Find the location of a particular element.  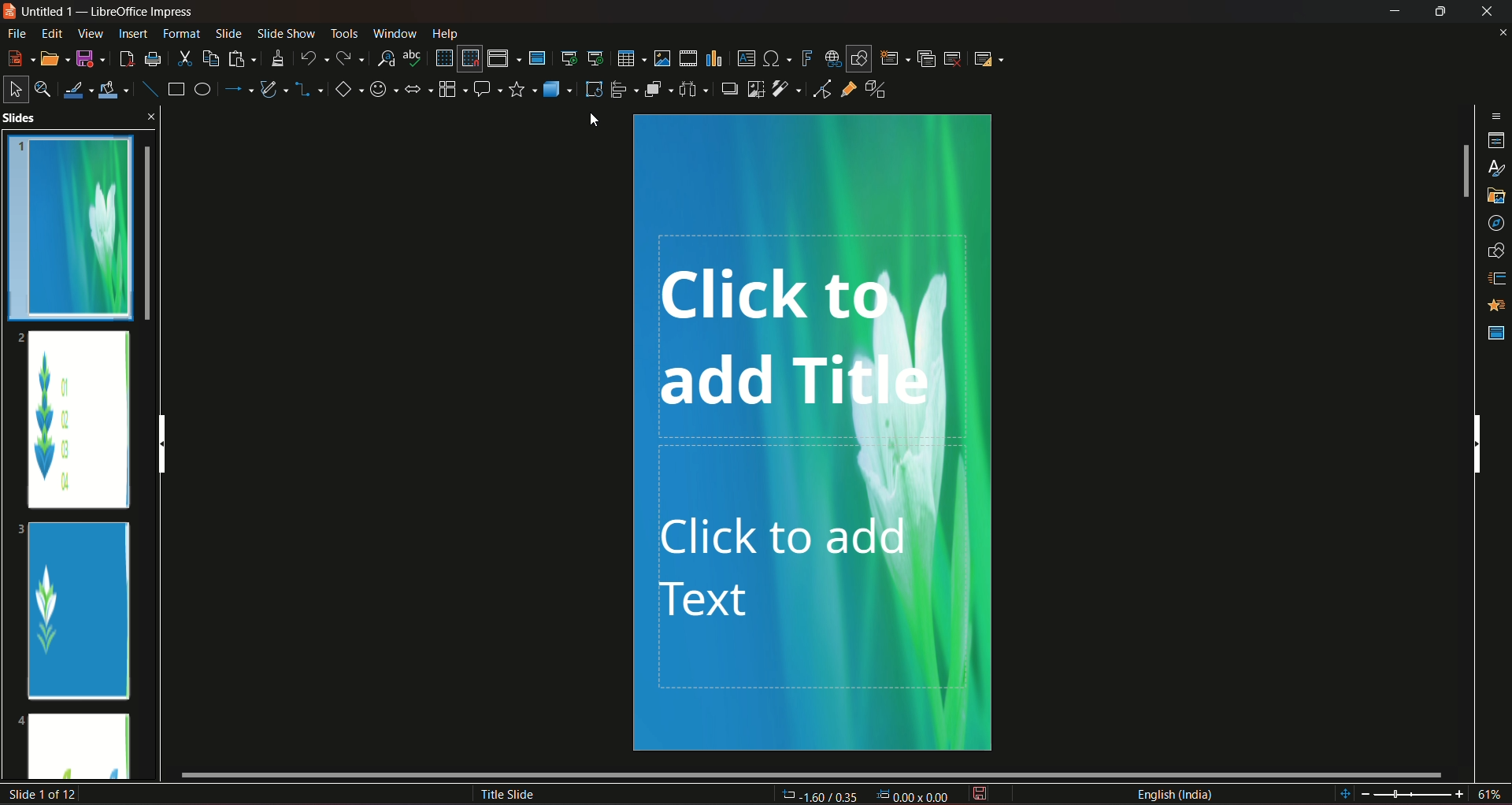

slide 2 is located at coordinates (71, 420).